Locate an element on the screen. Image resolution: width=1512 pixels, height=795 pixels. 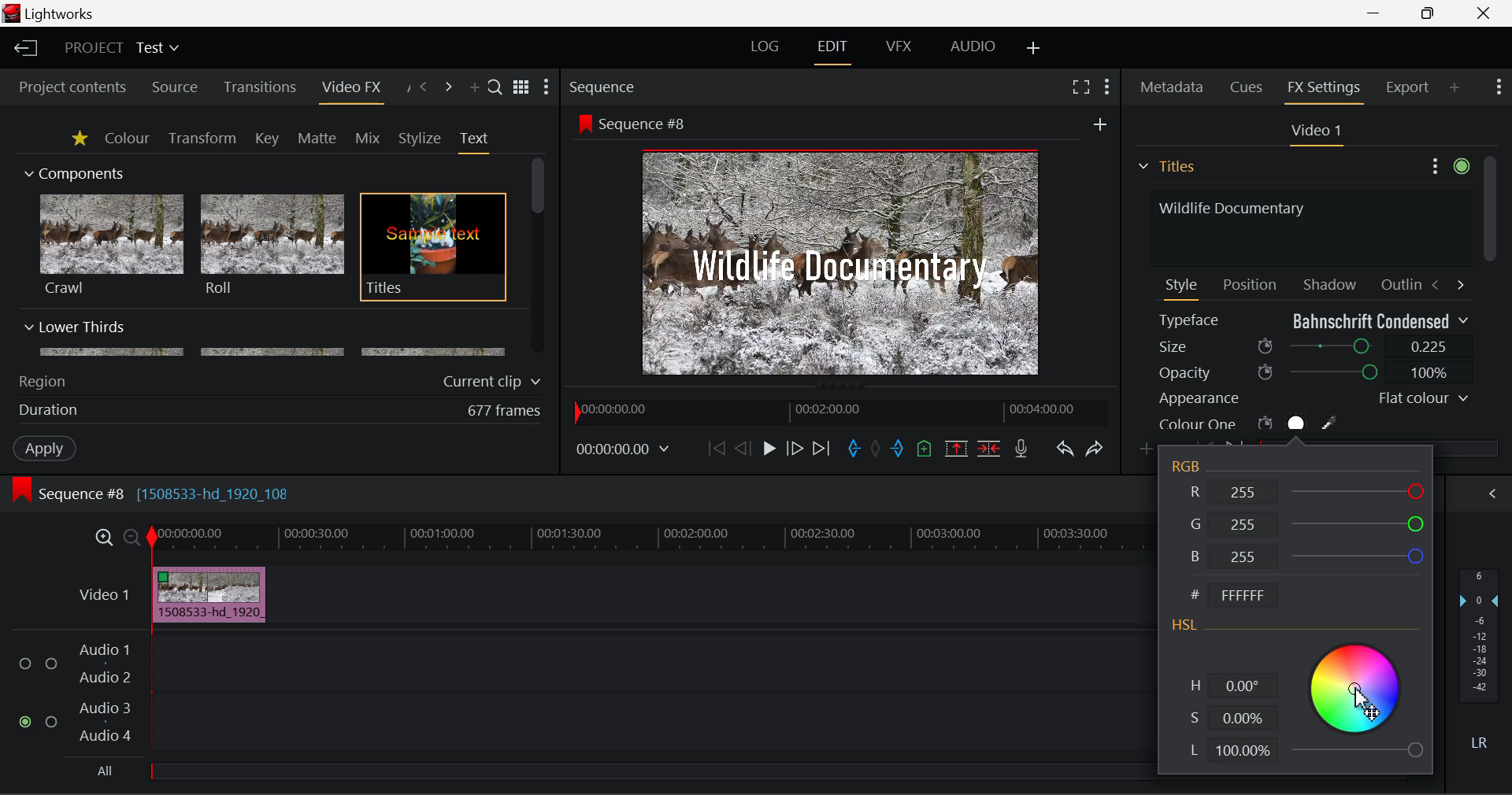
Sequence #8 [1508533-hd_1920_108 is located at coordinates (167, 494).